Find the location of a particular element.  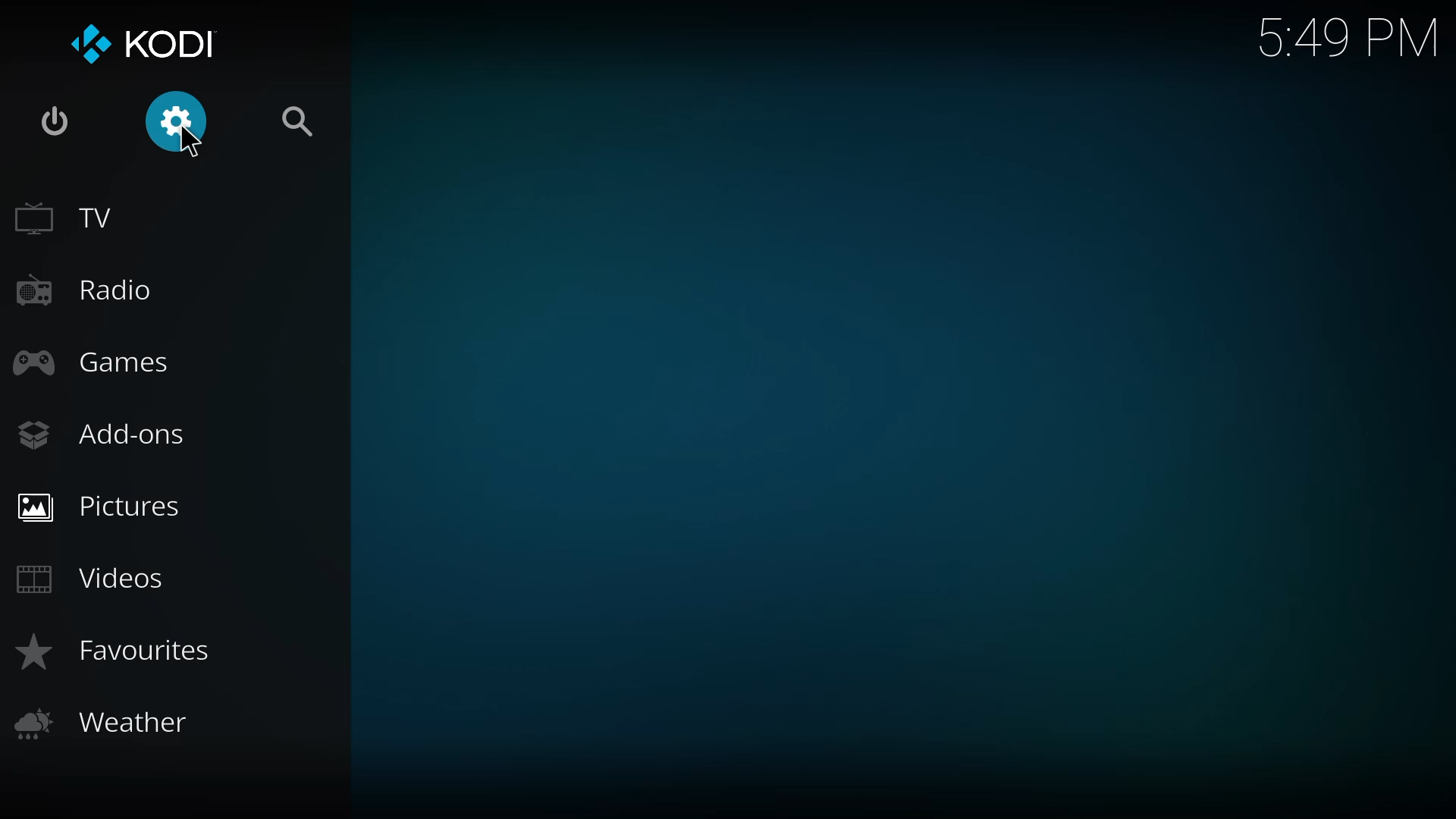

games is located at coordinates (98, 361).